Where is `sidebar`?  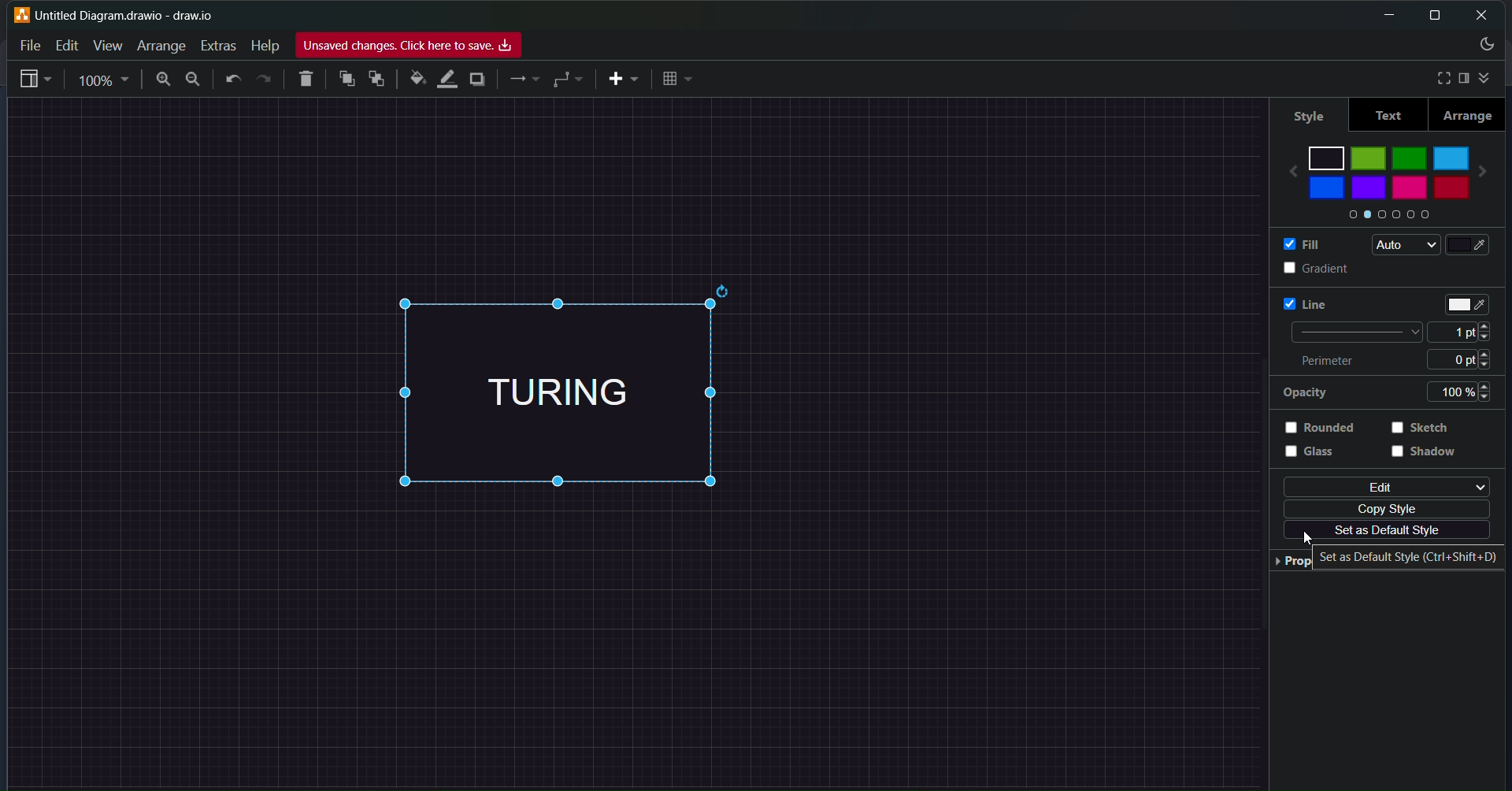
sidebar is located at coordinates (1463, 78).